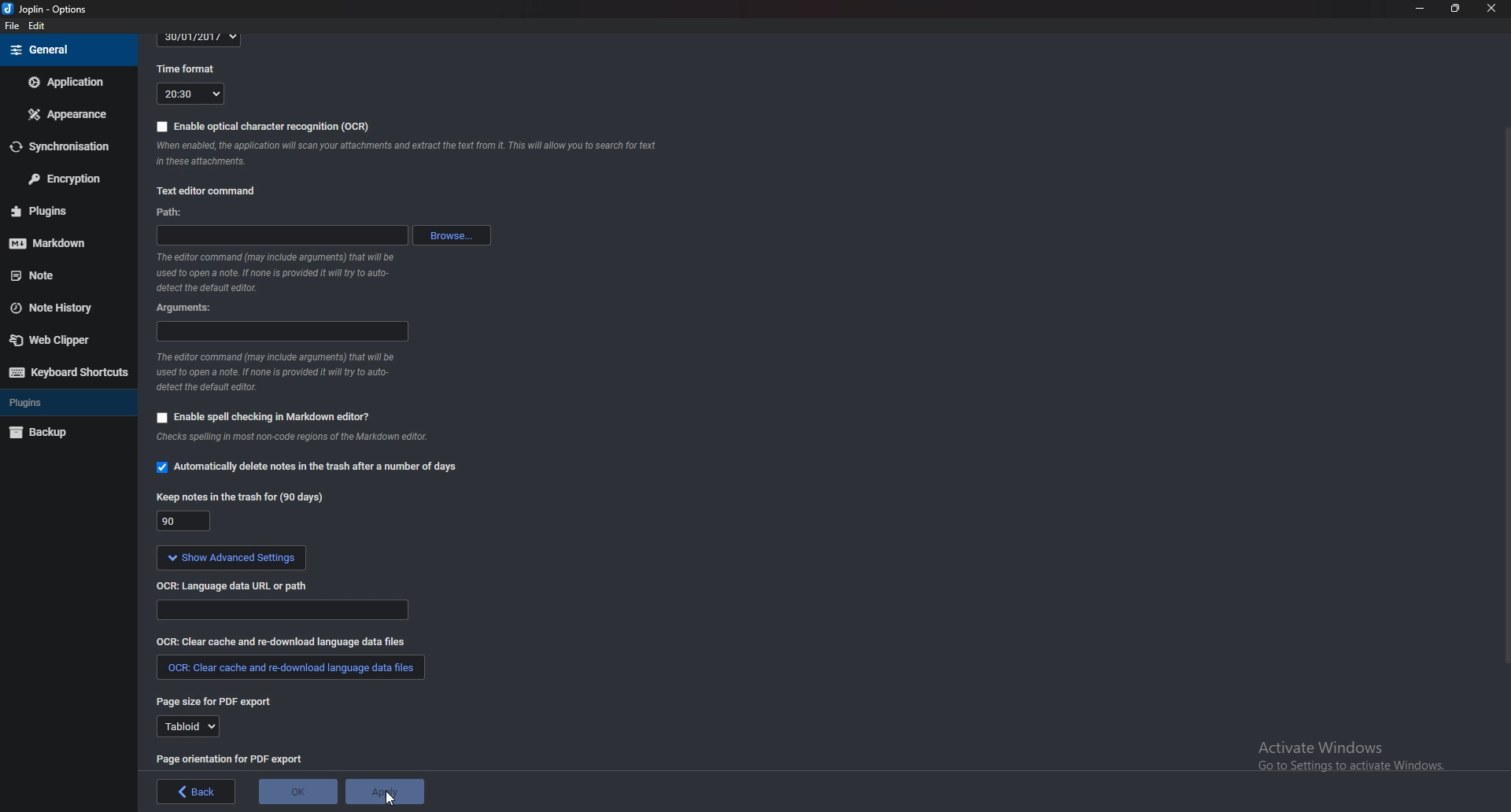 The image size is (1511, 812). Describe the element at coordinates (13, 26) in the screenshot. I see `File` at that location.